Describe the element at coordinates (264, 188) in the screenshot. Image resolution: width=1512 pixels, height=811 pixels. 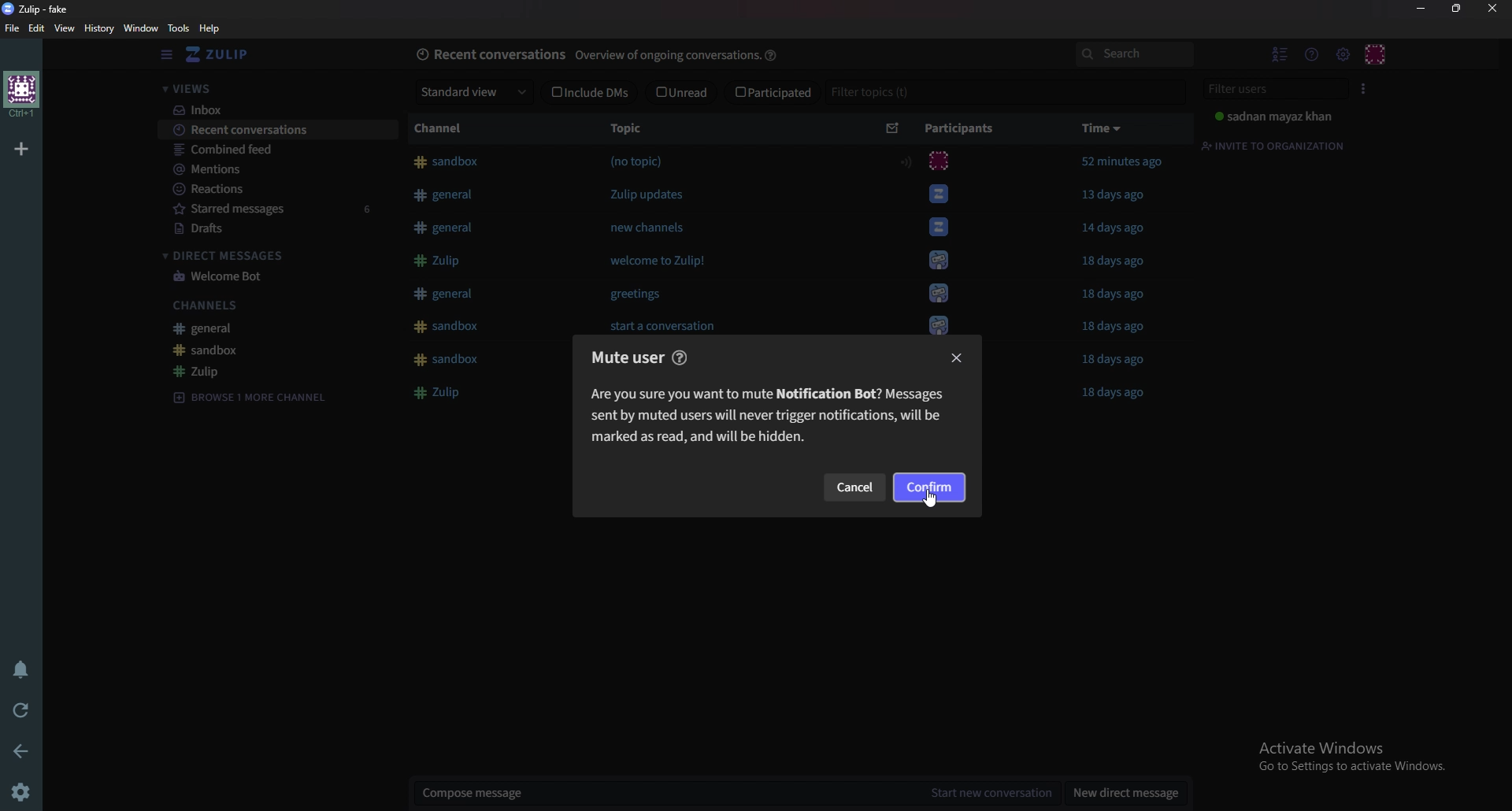
I see `reactions` at that location.